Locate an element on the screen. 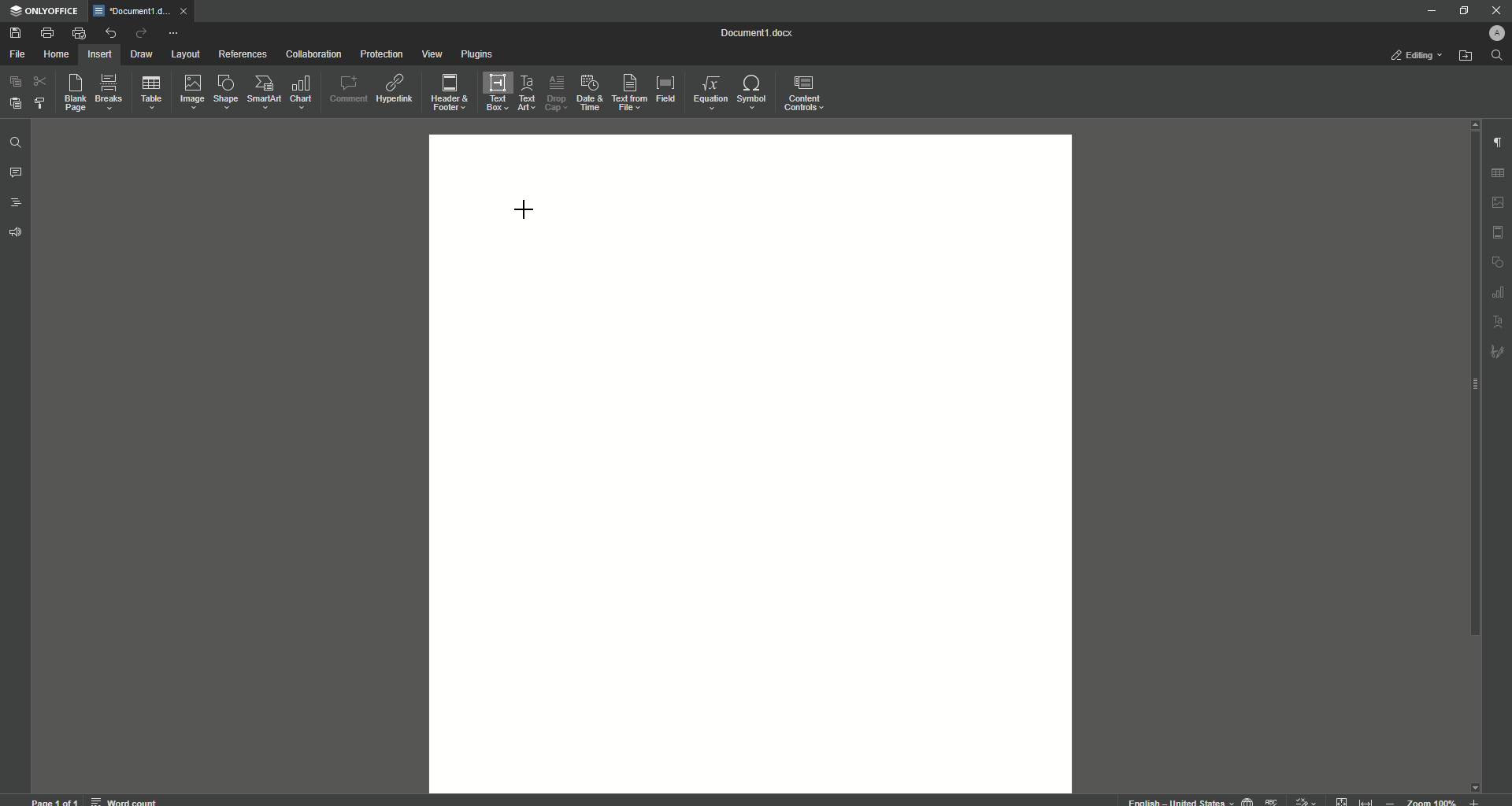  Shape is located at coordinates (224, 91).